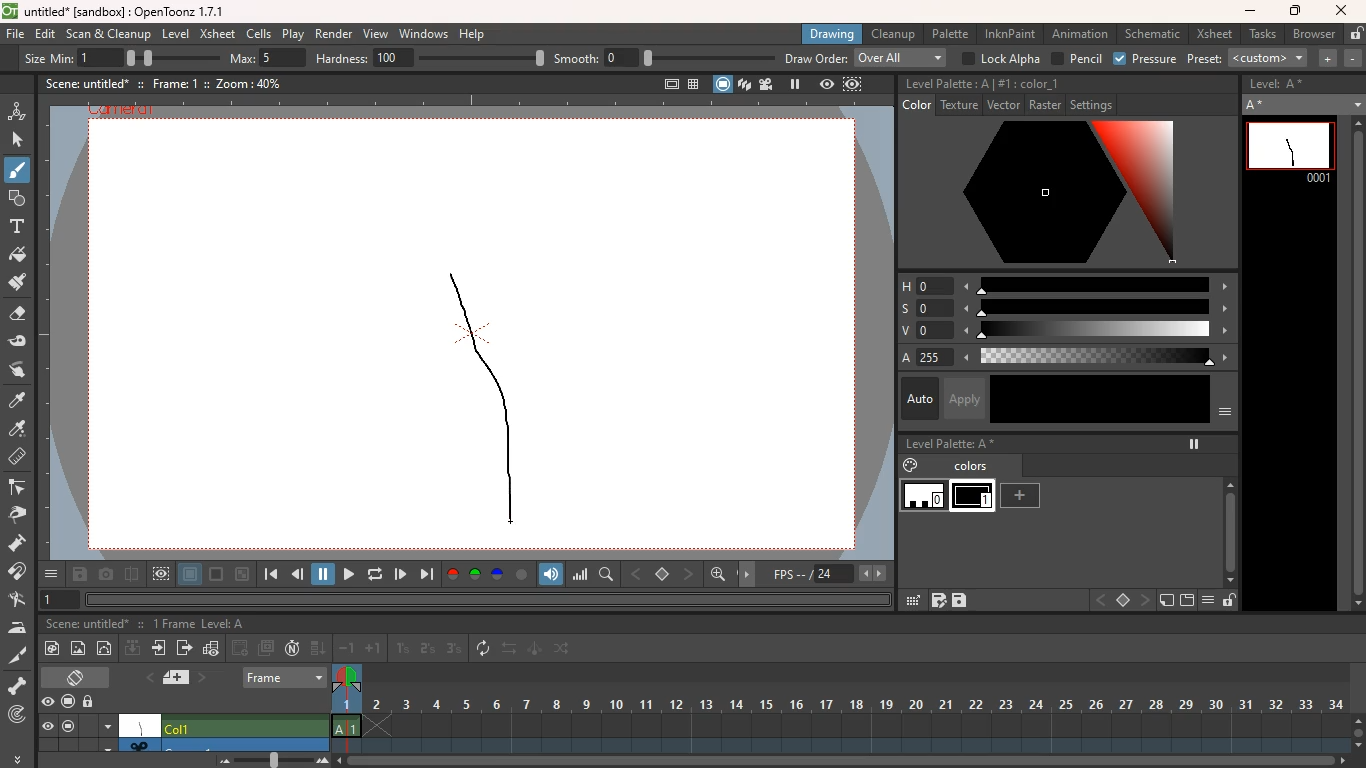 The width and height of the screenshot is (1366, 768). I want to click on untitled [sandbox] : OpenToonz 1.7.1, so click(112, 11).